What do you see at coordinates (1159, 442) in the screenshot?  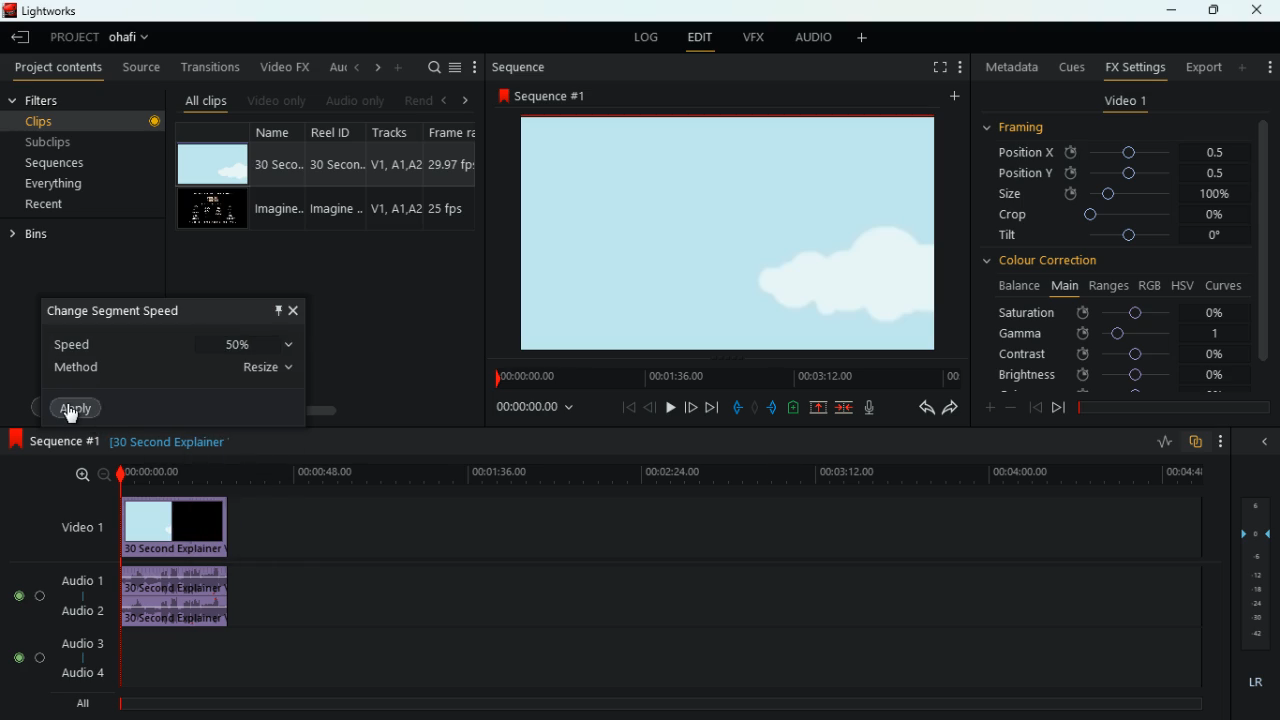 I see `rate` at bounding box center [1159, 442].